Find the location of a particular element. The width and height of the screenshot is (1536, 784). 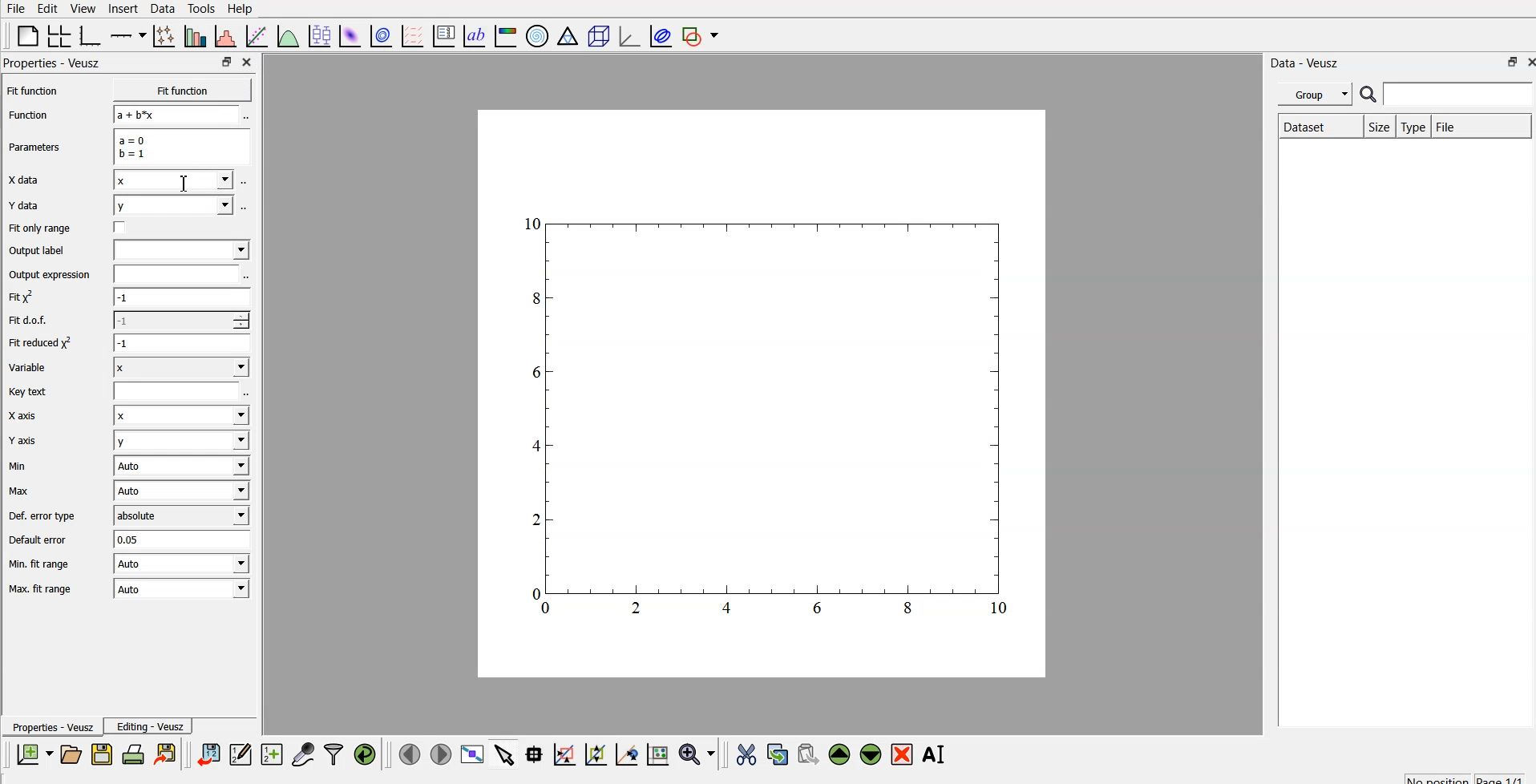

<I is located at coordinates (180, 368).